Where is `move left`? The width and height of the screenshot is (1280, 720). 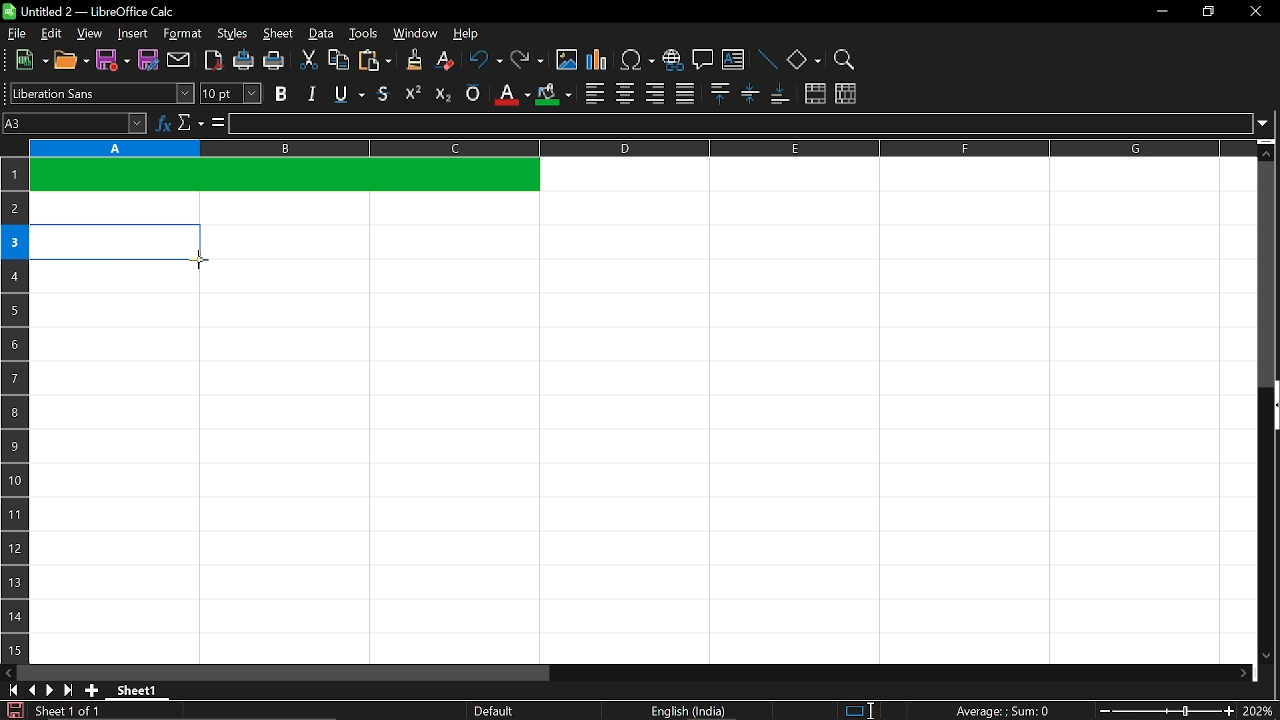 move left is located at coordinates (8, 673).